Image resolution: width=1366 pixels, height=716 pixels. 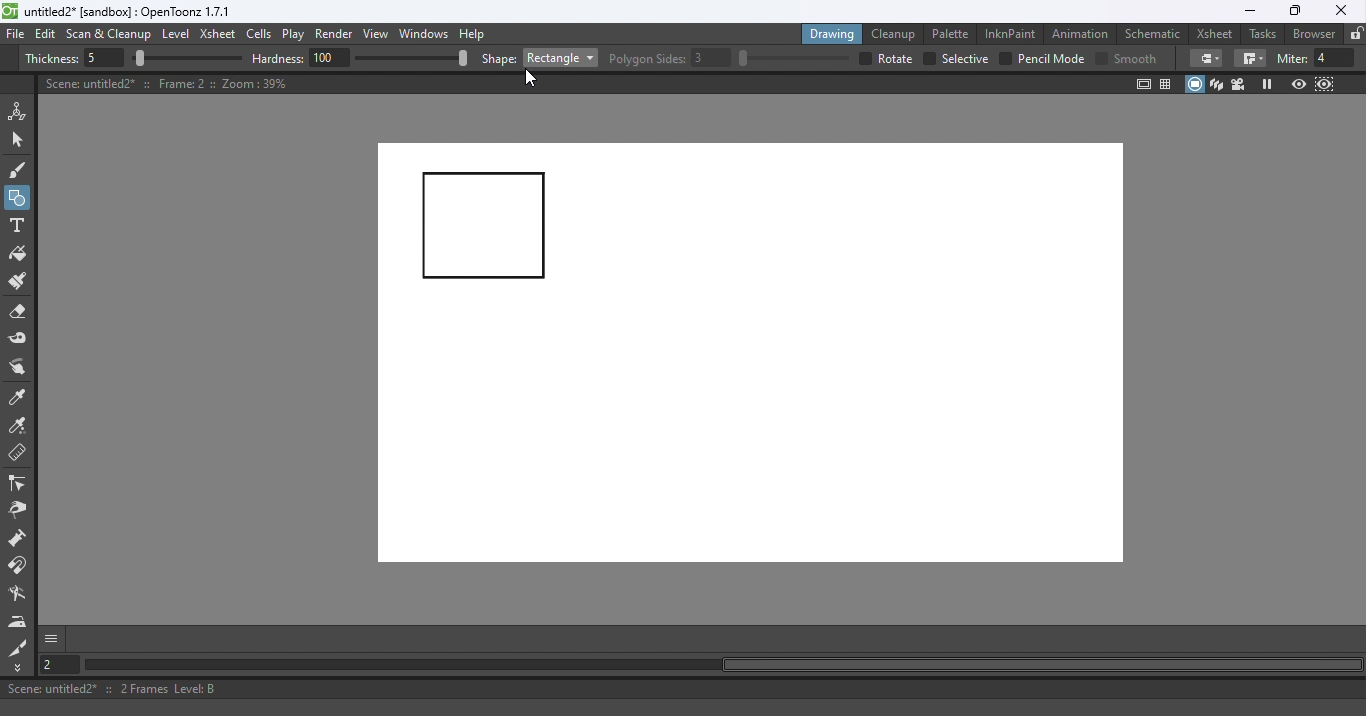 What do you see at coordinates (965, 59) in the screenshot?
I see `selective` at bounding box center [965, 59].